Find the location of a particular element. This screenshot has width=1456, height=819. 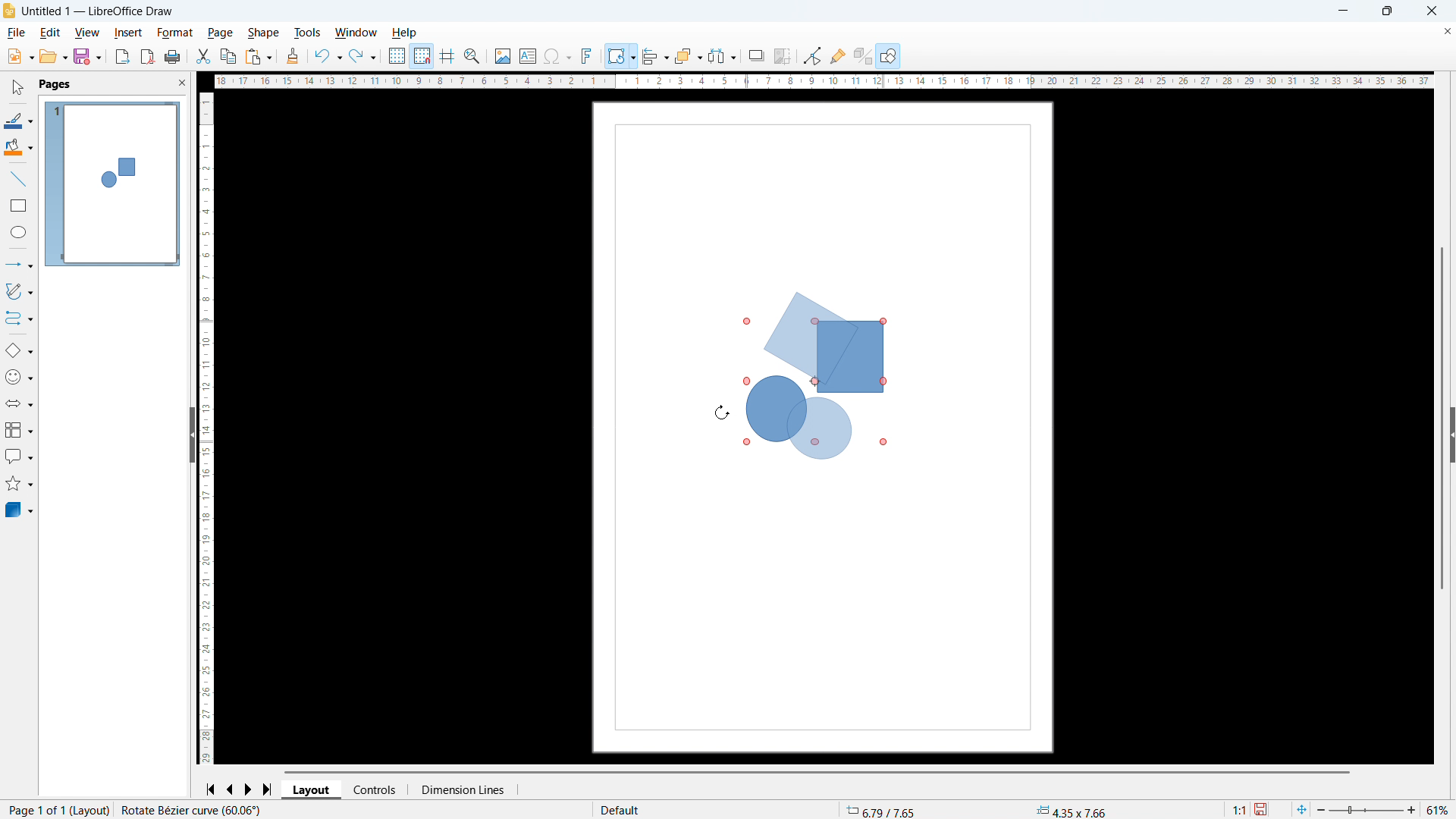

align  is located at coordinates (655, 55).